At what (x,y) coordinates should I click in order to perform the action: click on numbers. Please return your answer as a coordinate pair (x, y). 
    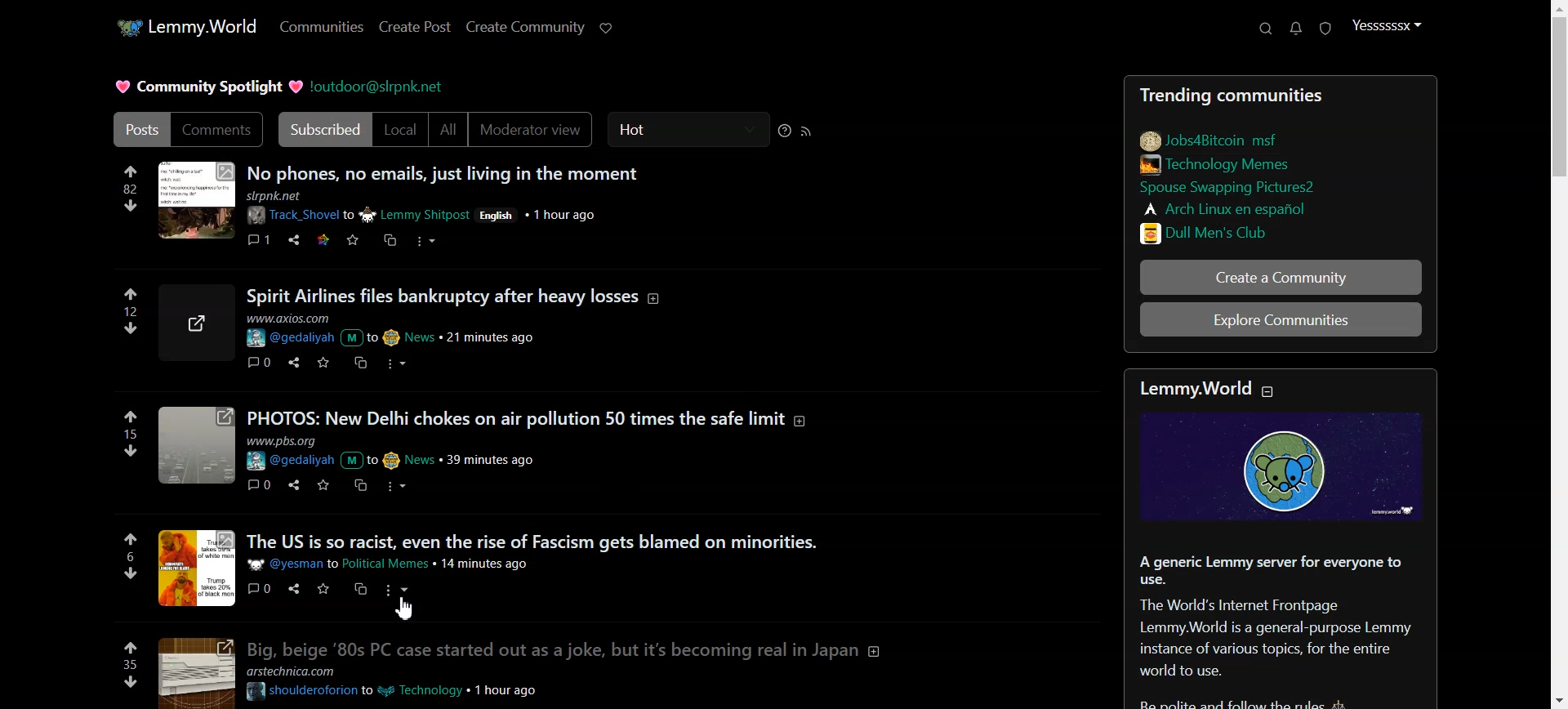
    Looking at the image, I should click on (130, 664).